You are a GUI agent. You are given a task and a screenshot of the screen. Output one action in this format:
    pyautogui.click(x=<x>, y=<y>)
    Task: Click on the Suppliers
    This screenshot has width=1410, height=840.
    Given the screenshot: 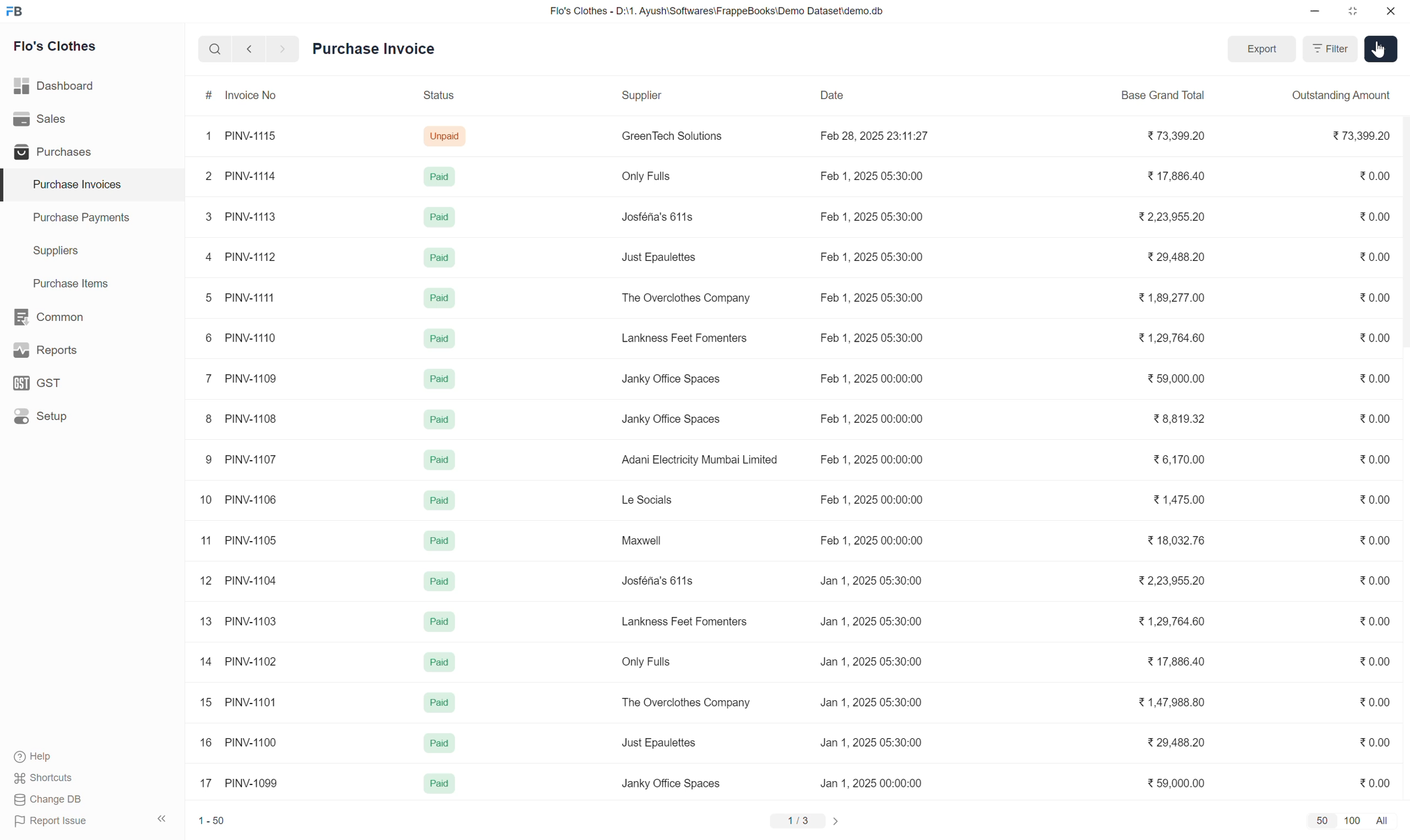 What is the action you would take?
    pyautogui.click(x=48, y=251)
    